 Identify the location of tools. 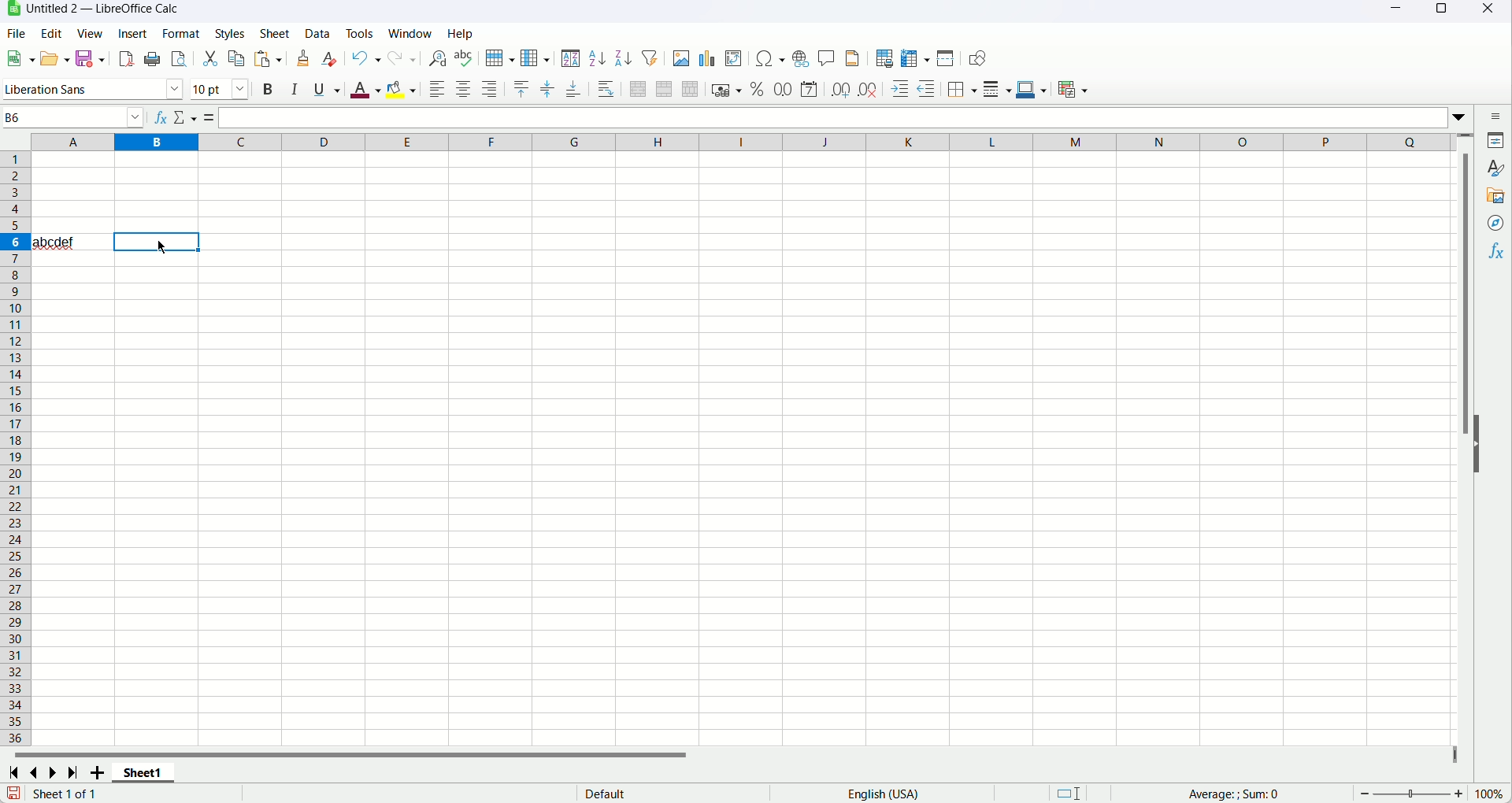
(361, 33).